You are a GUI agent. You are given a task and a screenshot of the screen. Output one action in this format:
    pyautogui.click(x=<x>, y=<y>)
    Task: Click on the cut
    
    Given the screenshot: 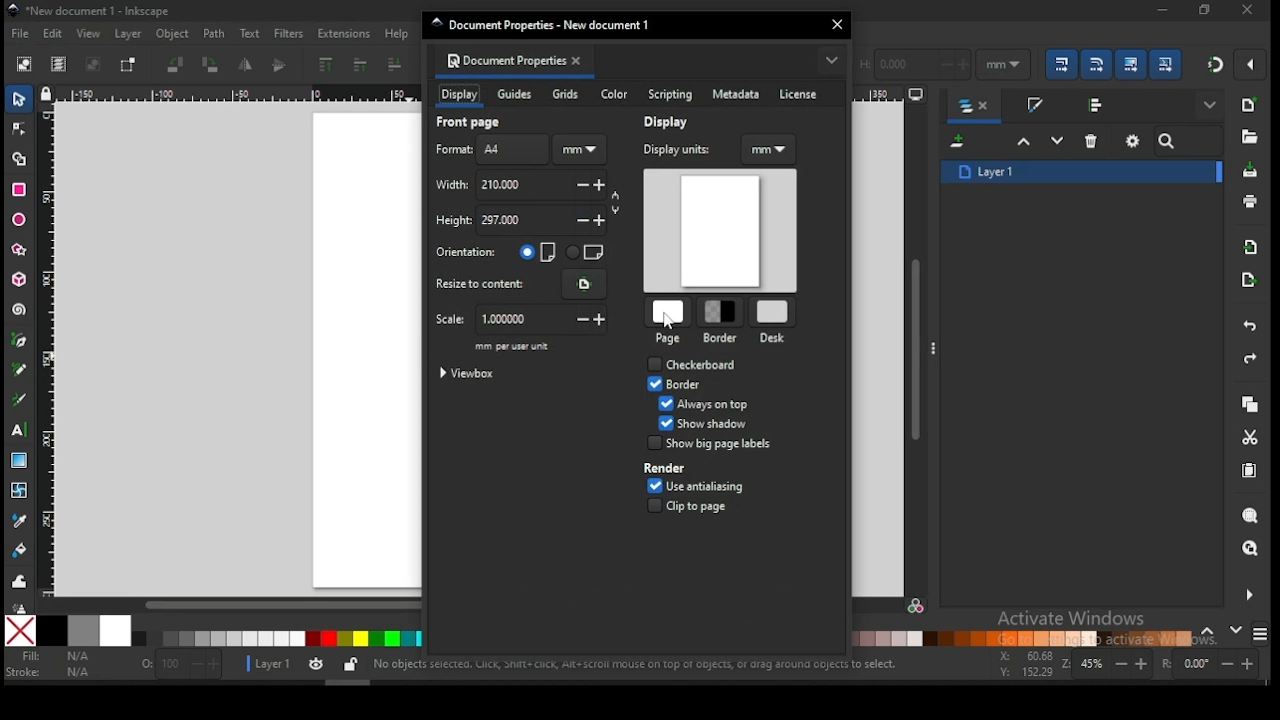 What is the action you would take?
    pyautogui.click(x=1250, y=437)
    